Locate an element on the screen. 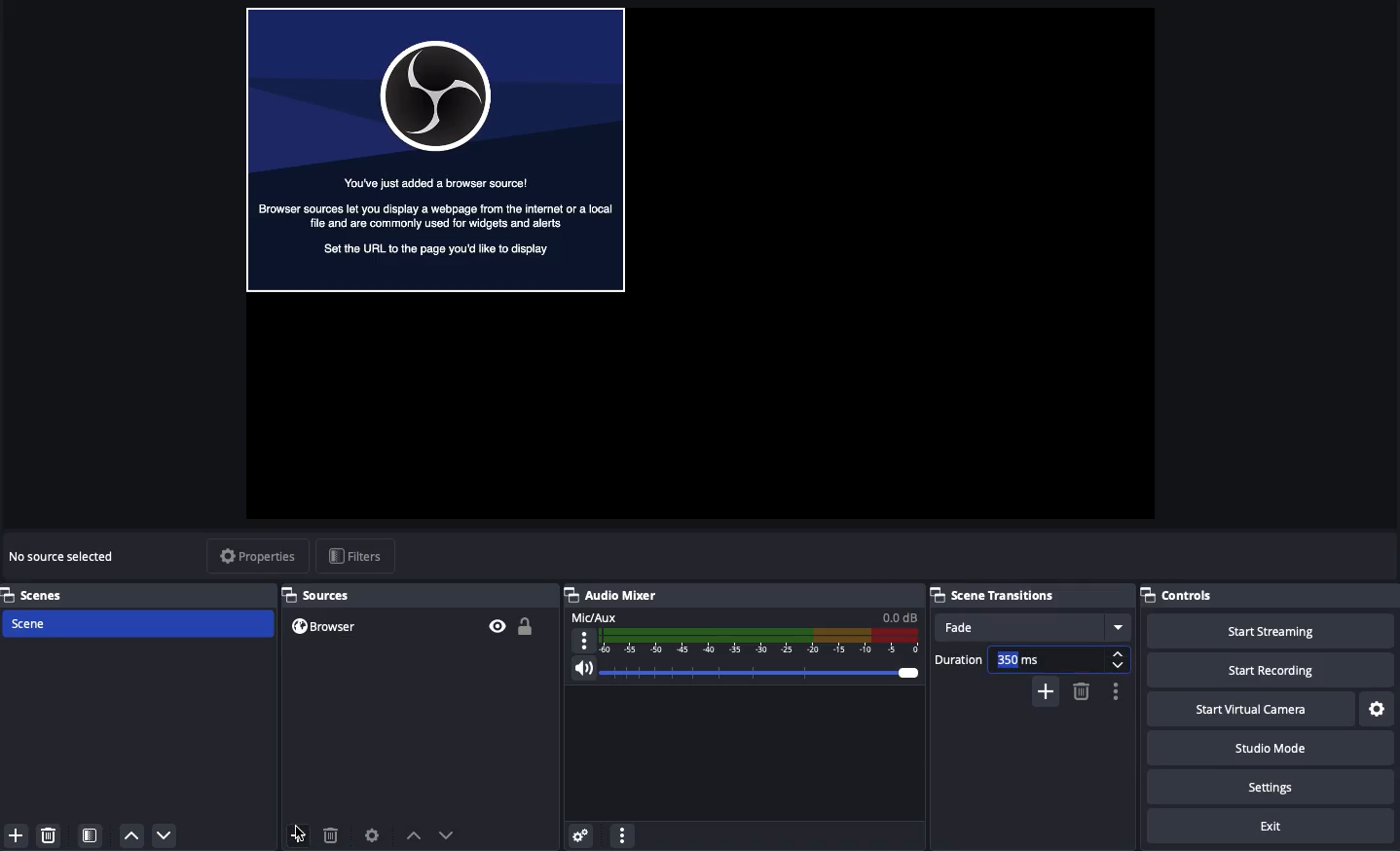  Controls is located at coordinates (1185, 596).